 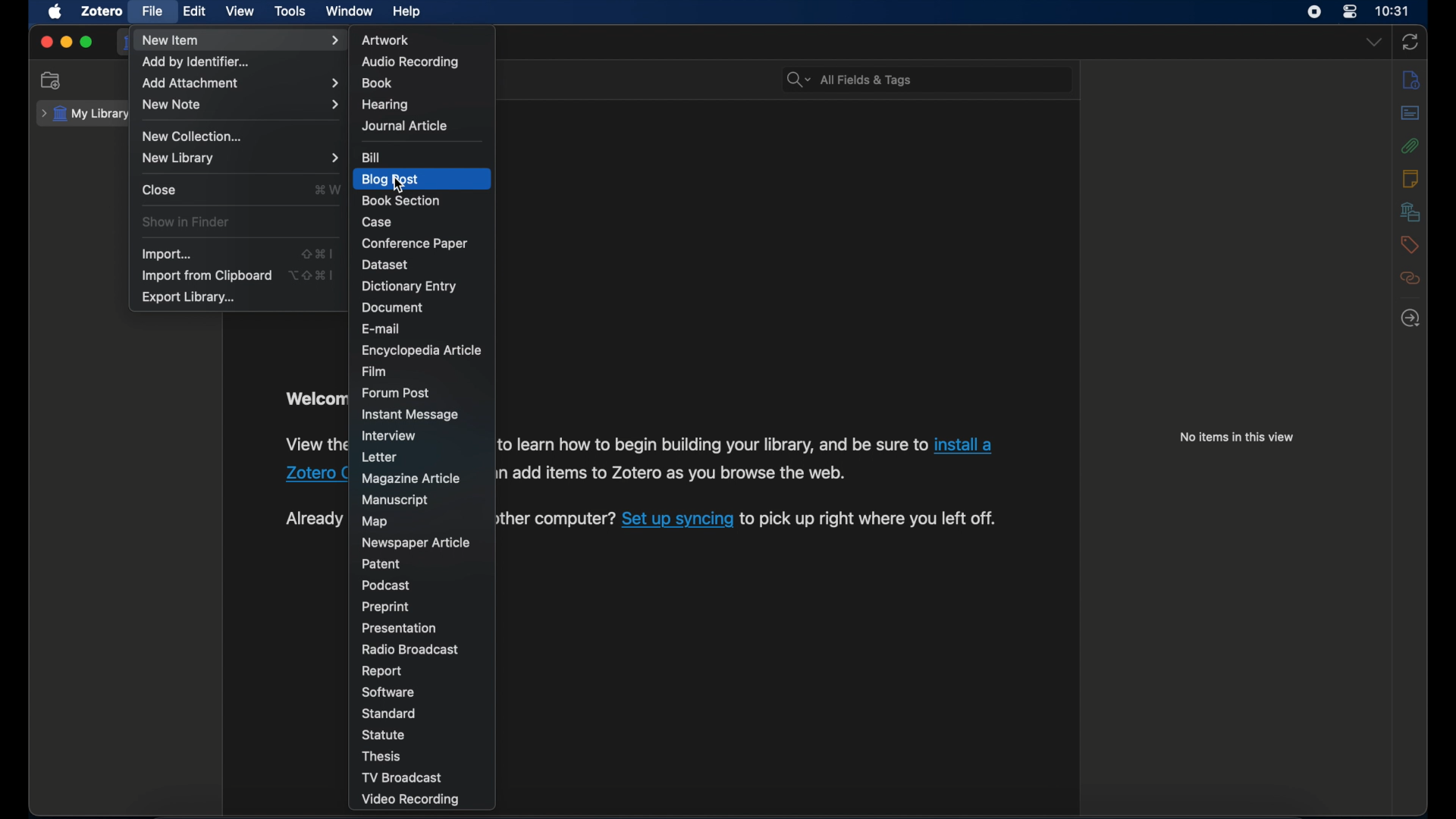 What do you see at coordinates (385, 607) in the screenshot?
I see `preprint` at bounding box center [385, 607].